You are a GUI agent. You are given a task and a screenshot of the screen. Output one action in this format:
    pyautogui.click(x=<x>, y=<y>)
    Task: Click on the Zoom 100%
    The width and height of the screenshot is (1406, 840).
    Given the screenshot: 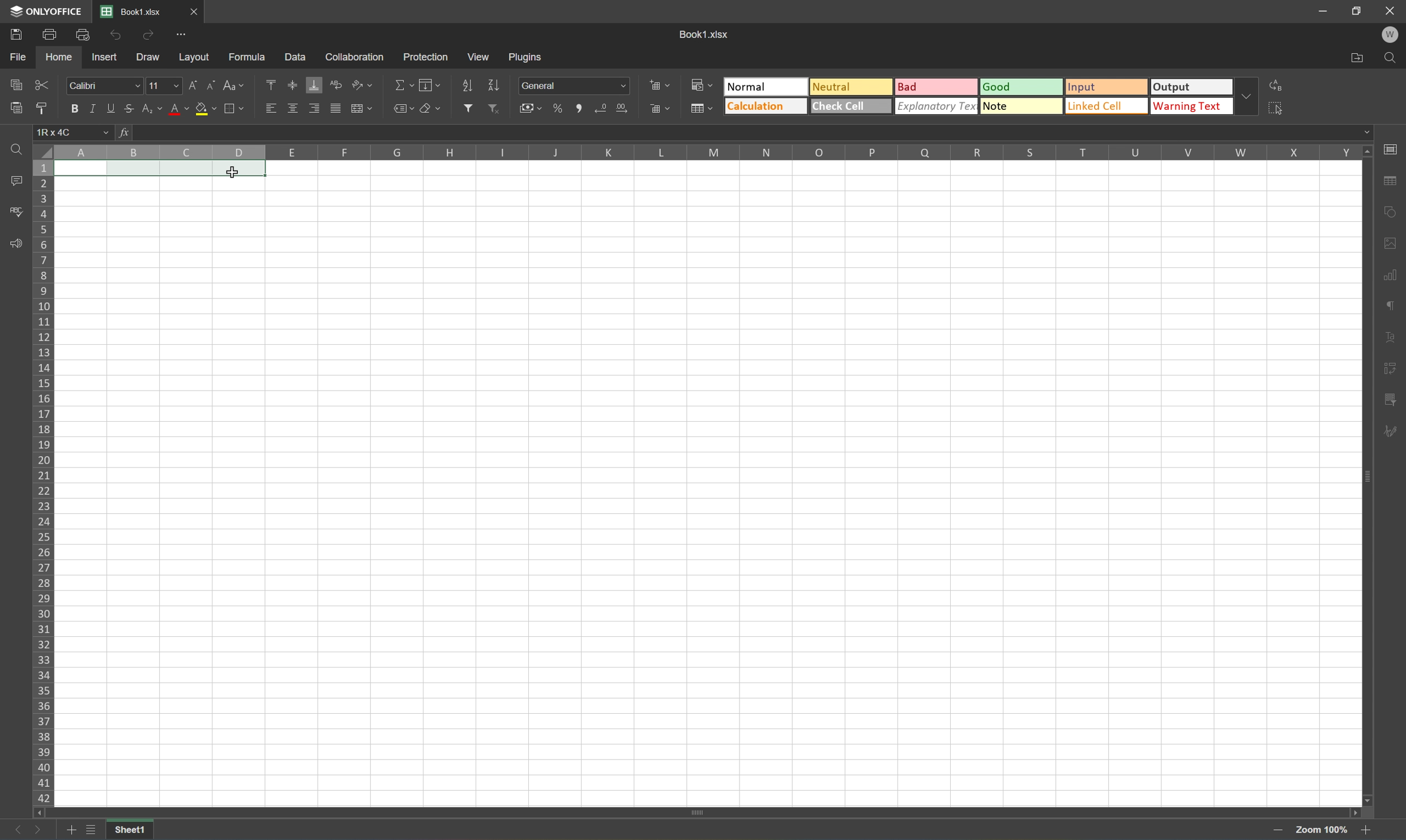 What is the action you would take?
    pyautogui.click(x=1319, y=830)
    